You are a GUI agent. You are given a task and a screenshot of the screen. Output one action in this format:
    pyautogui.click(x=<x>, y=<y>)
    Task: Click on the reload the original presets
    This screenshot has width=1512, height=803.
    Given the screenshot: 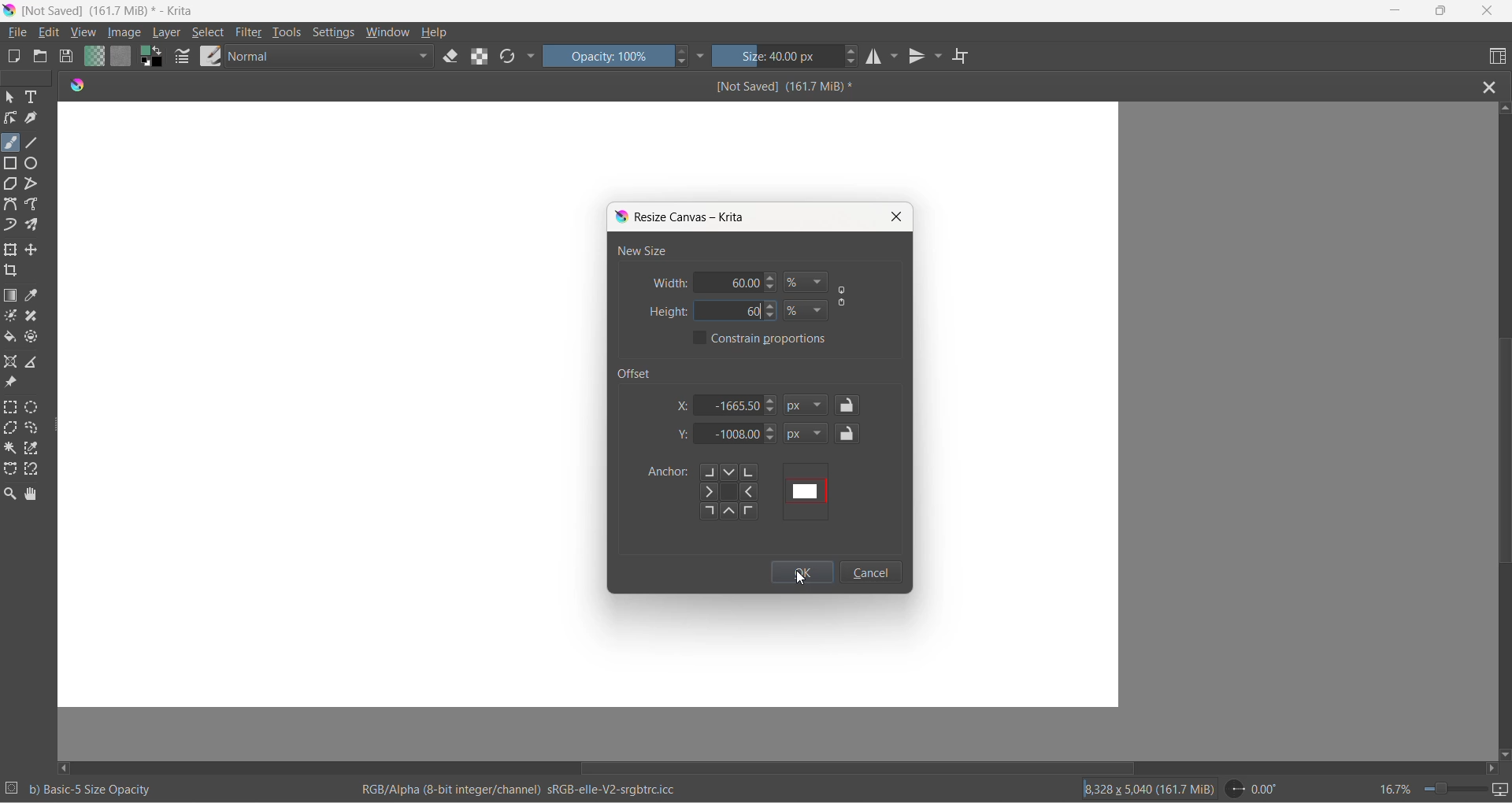 What is the action you would take?
    pyautogui.click(x=510, y=58)
    